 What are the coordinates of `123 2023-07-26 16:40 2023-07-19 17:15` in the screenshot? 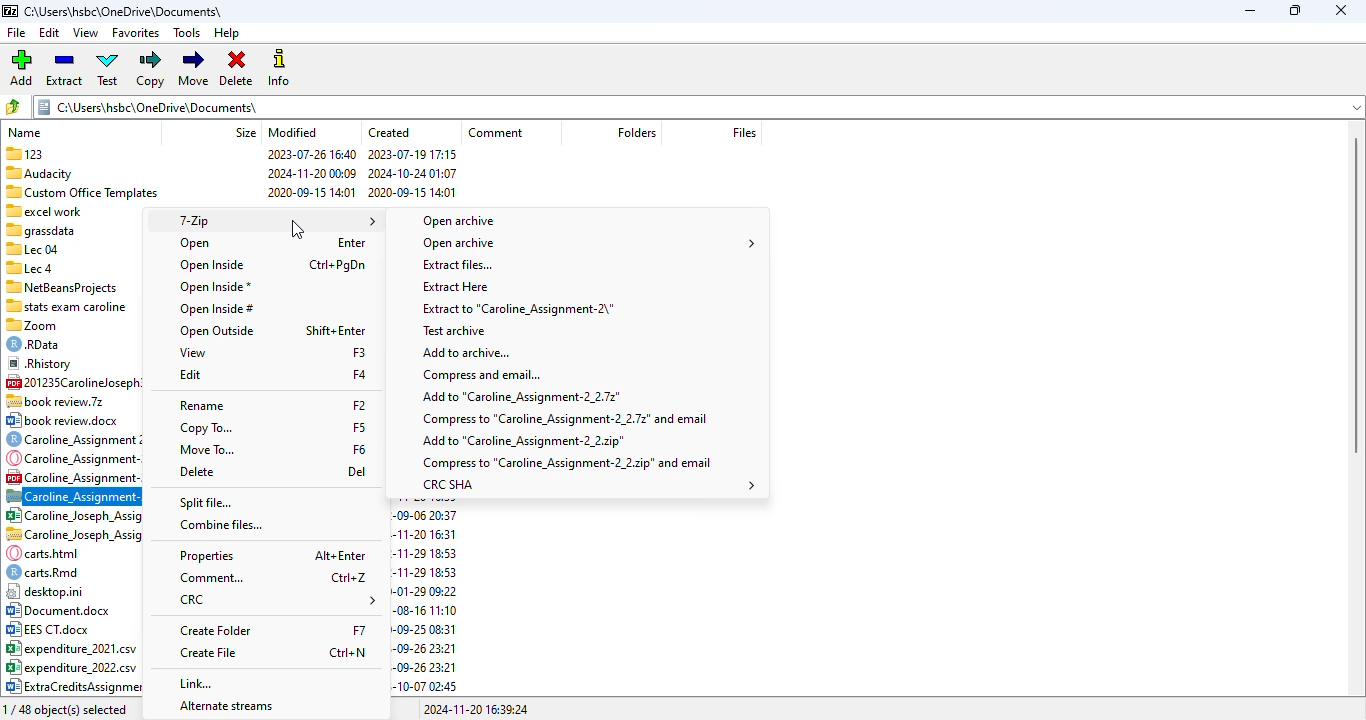 It's located at (232, 152).